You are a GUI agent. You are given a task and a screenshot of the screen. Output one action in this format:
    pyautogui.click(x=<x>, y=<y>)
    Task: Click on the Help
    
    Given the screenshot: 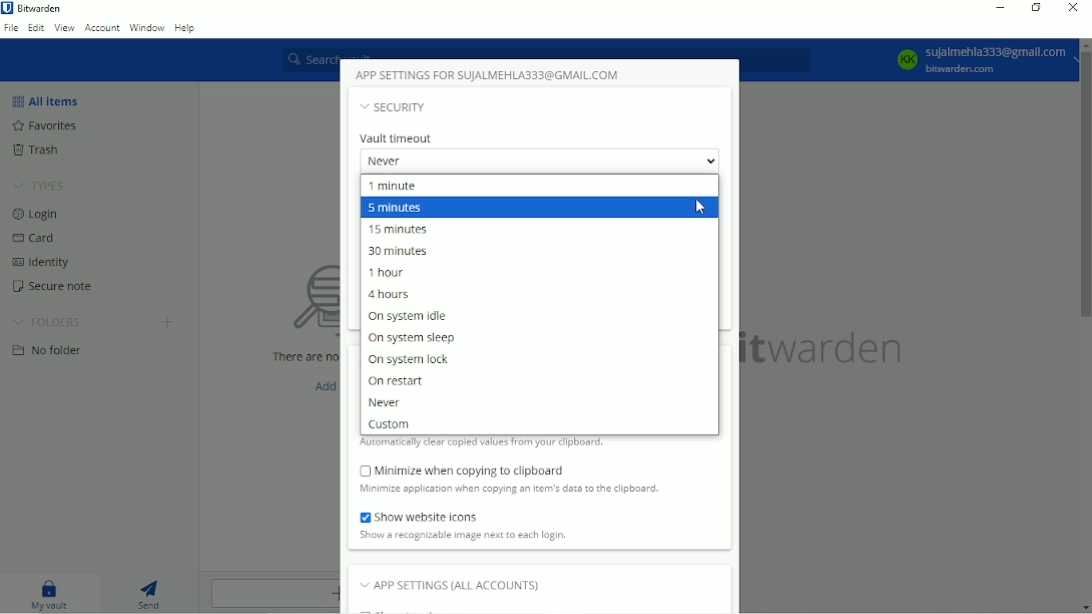 What is the action you would take?
    pyautogui.click(x=186, y=27)
    